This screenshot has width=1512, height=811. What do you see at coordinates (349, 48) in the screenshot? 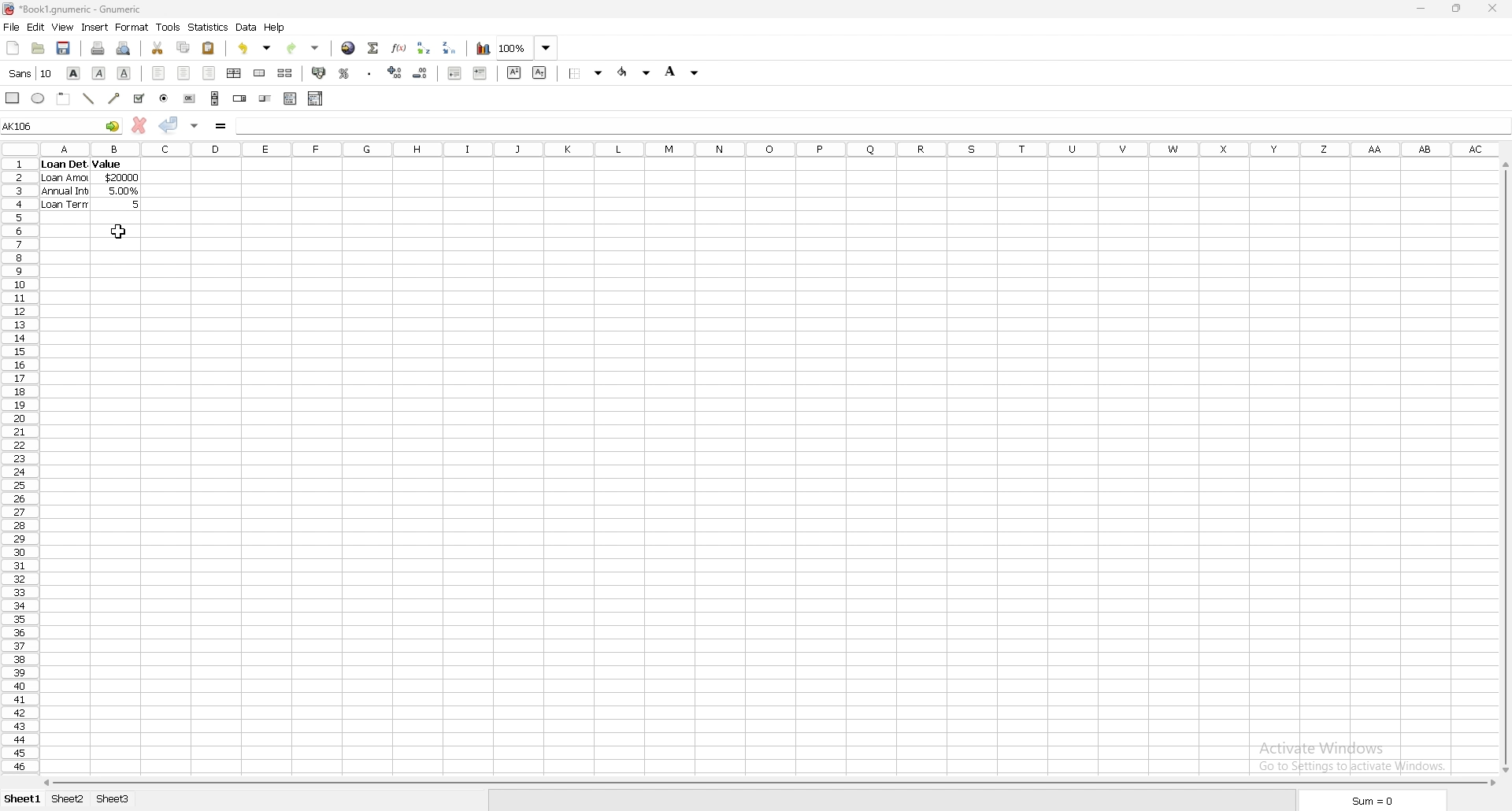
I see `hyperlink` at bounding box center [349, 48].